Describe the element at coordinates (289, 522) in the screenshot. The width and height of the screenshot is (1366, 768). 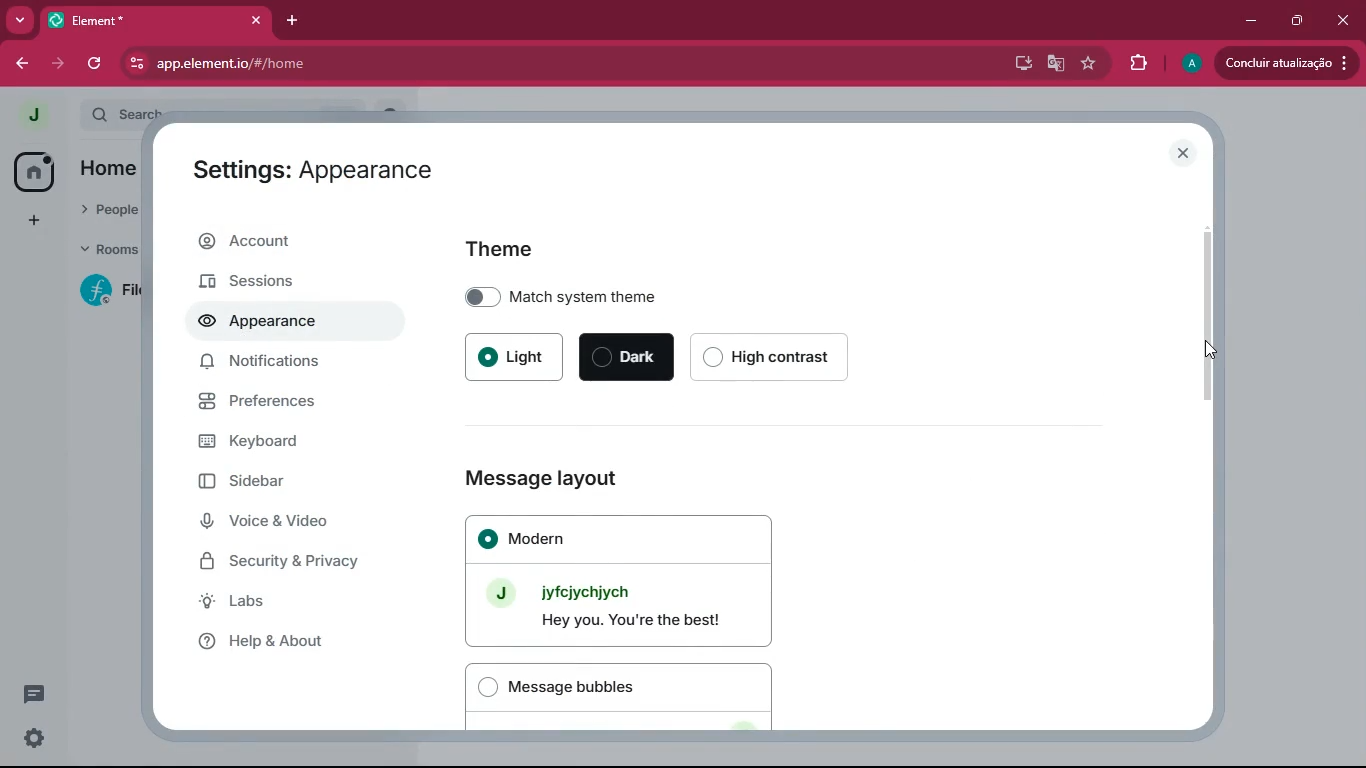
I see `voice` at that location.